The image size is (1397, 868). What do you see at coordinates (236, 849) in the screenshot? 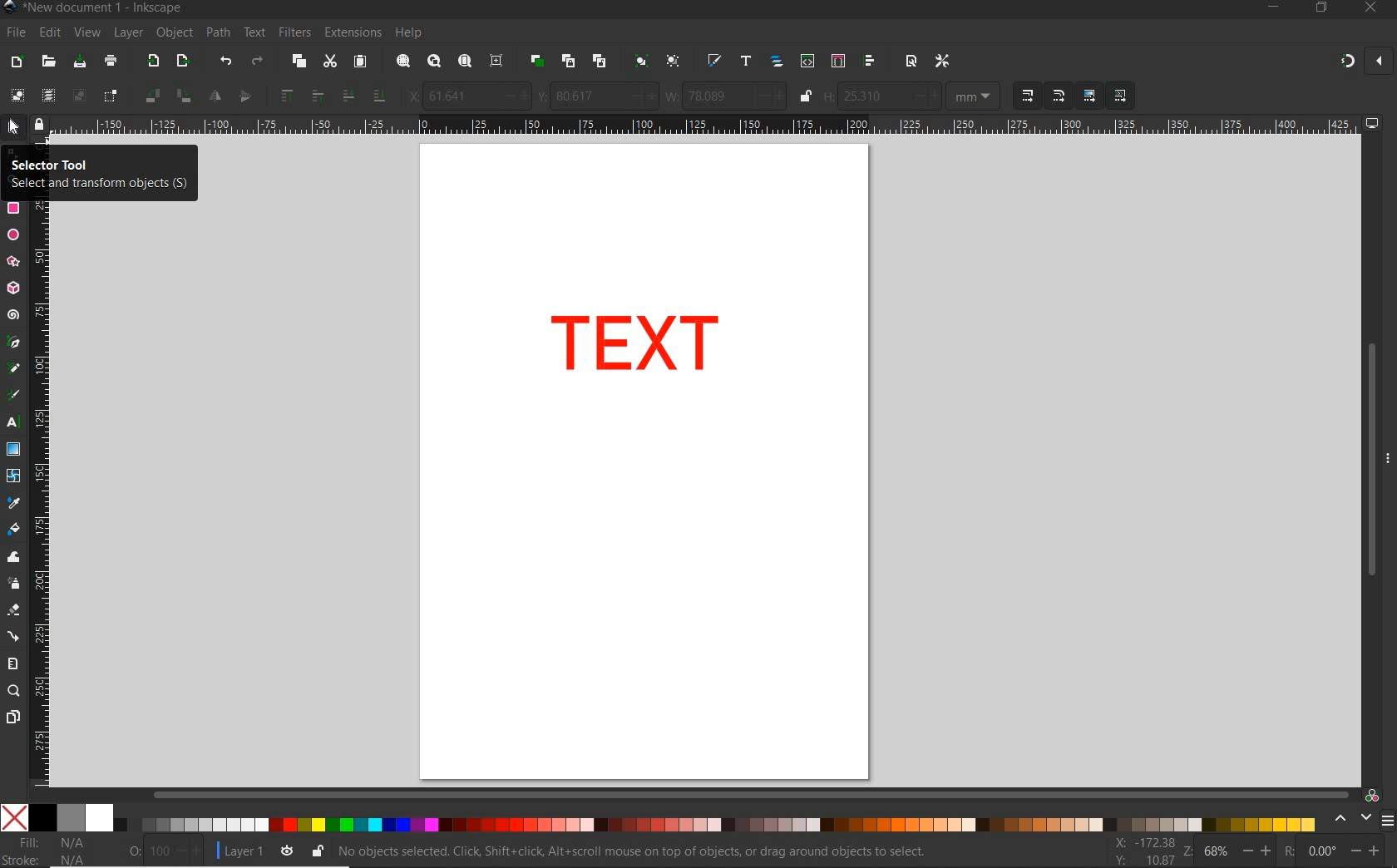
I see `current layer` at bounding box center [236, 849].